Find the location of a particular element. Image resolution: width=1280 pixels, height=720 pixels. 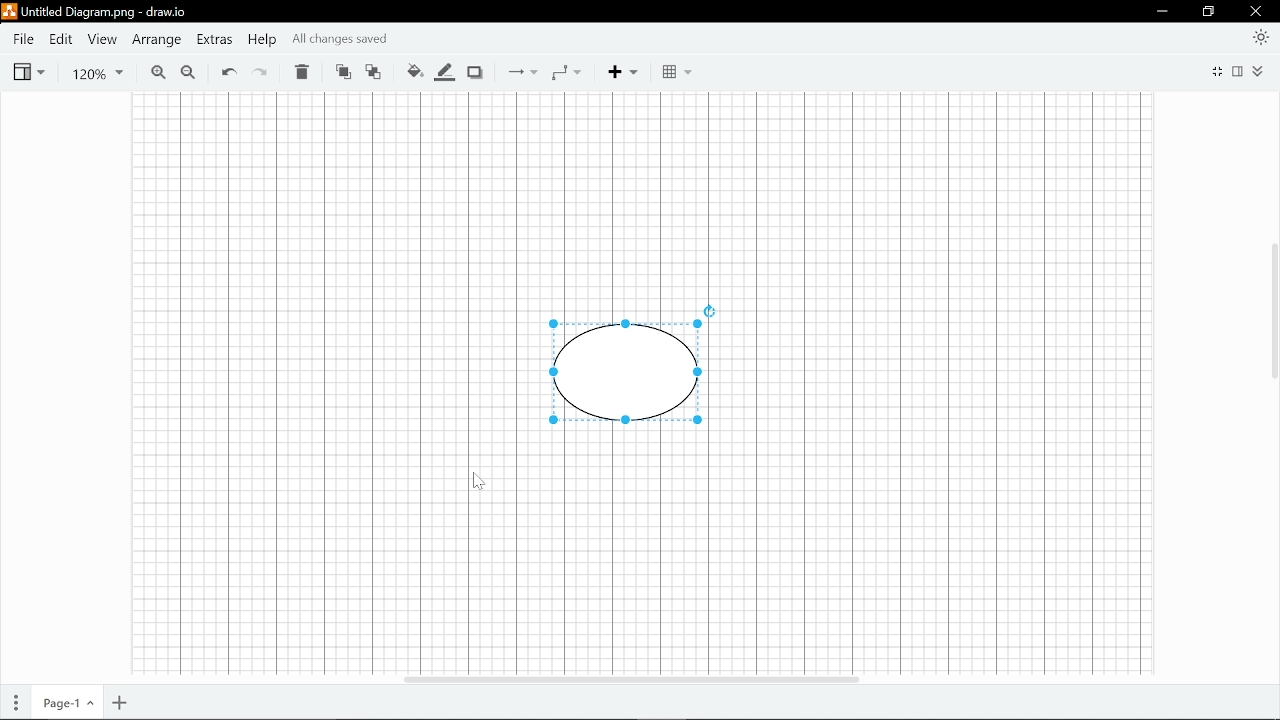

Full screen is located at coordinates (1216, 71).